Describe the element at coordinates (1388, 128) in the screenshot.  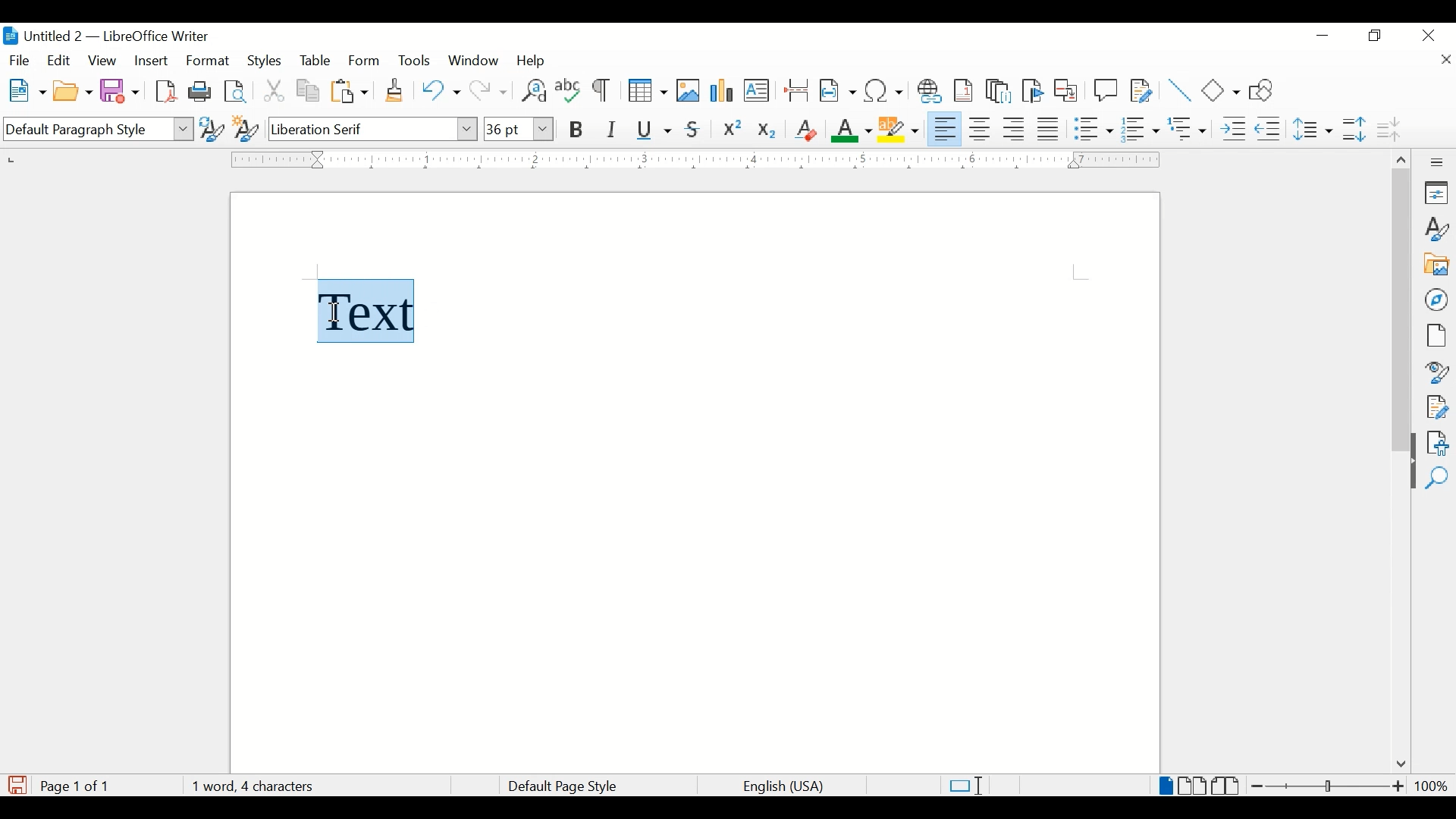
I see `decrease paragraph spacing` at that location.